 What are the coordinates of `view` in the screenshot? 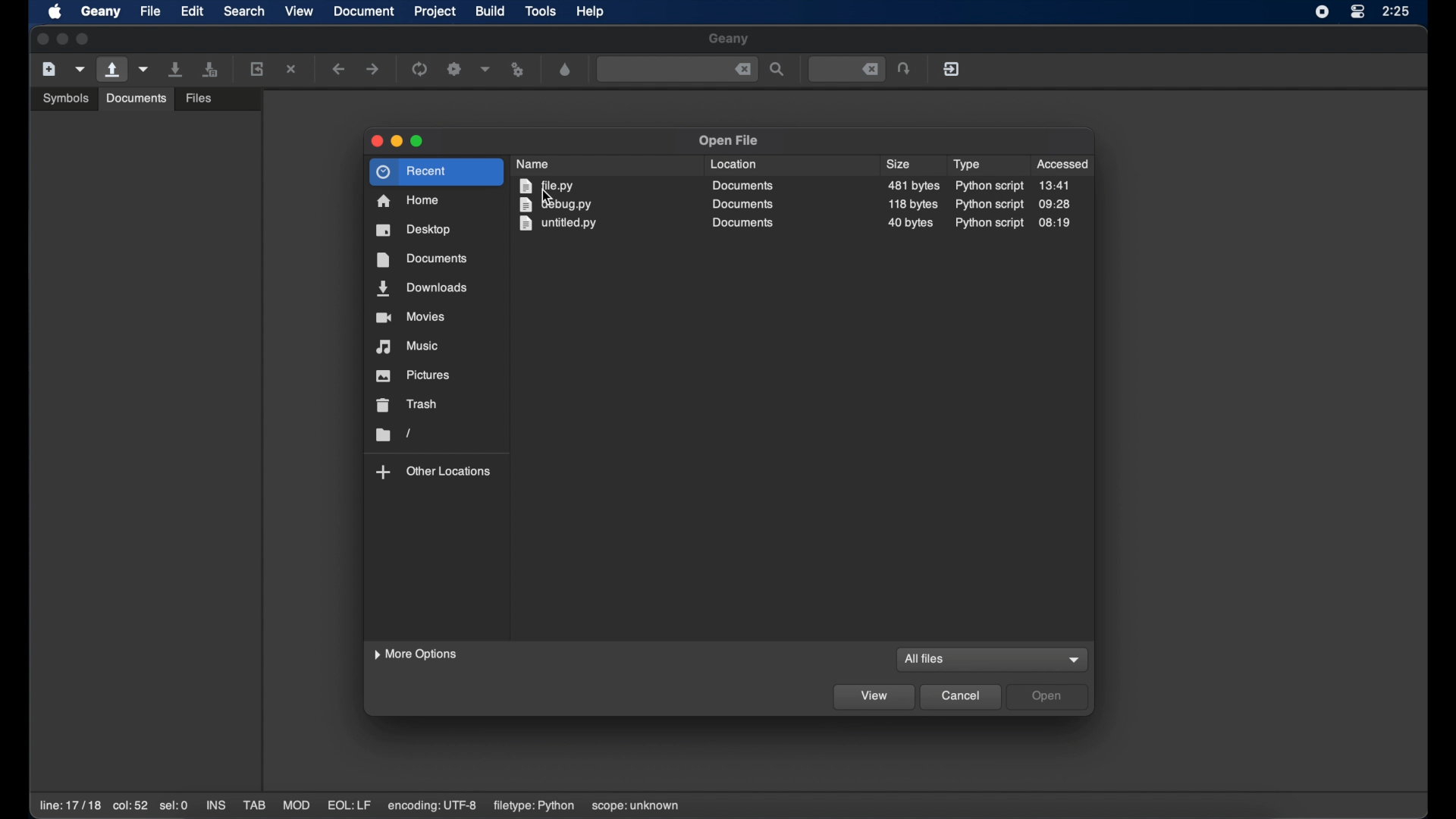 It's located at (300, 11).